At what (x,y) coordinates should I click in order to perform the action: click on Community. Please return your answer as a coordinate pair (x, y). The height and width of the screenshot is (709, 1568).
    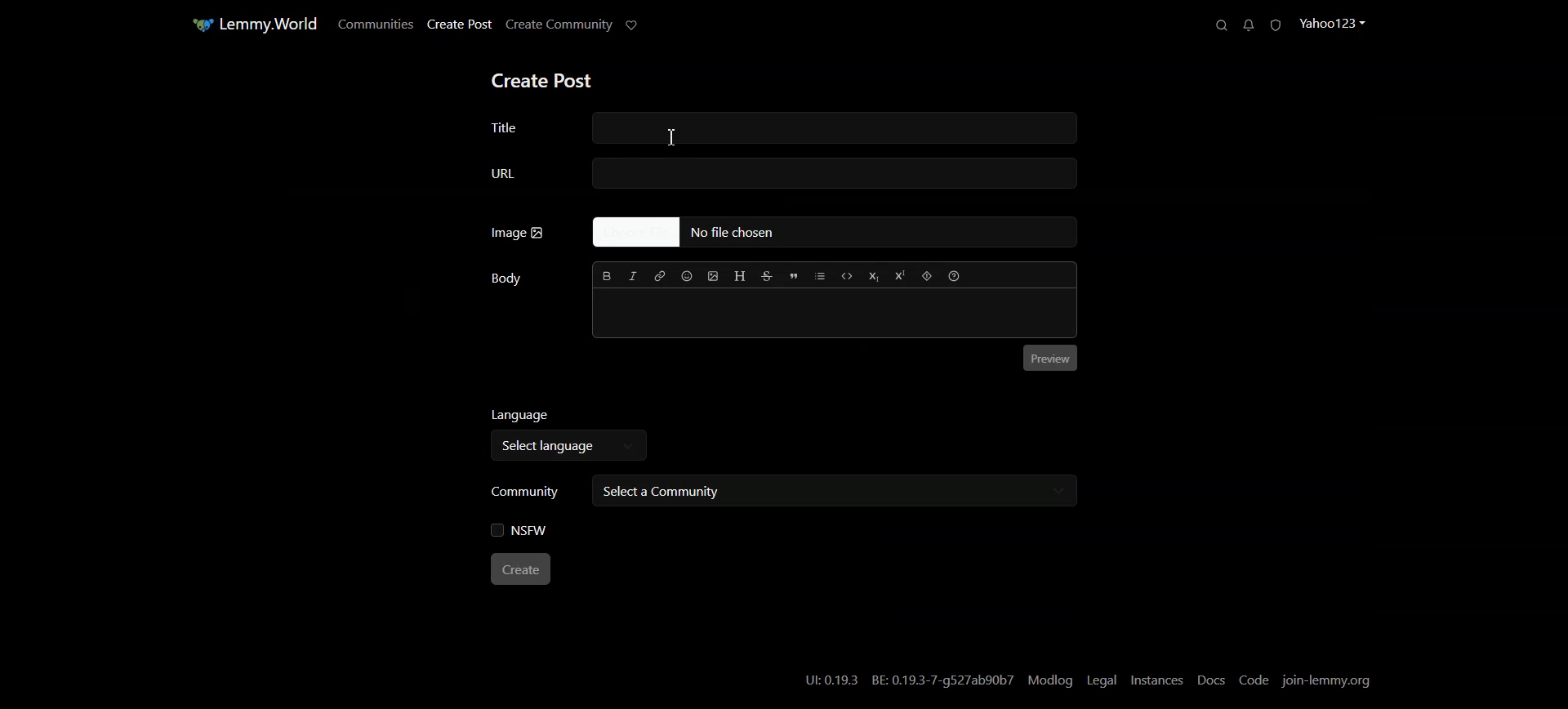
    Looking at the image, I should click on (526, 489).